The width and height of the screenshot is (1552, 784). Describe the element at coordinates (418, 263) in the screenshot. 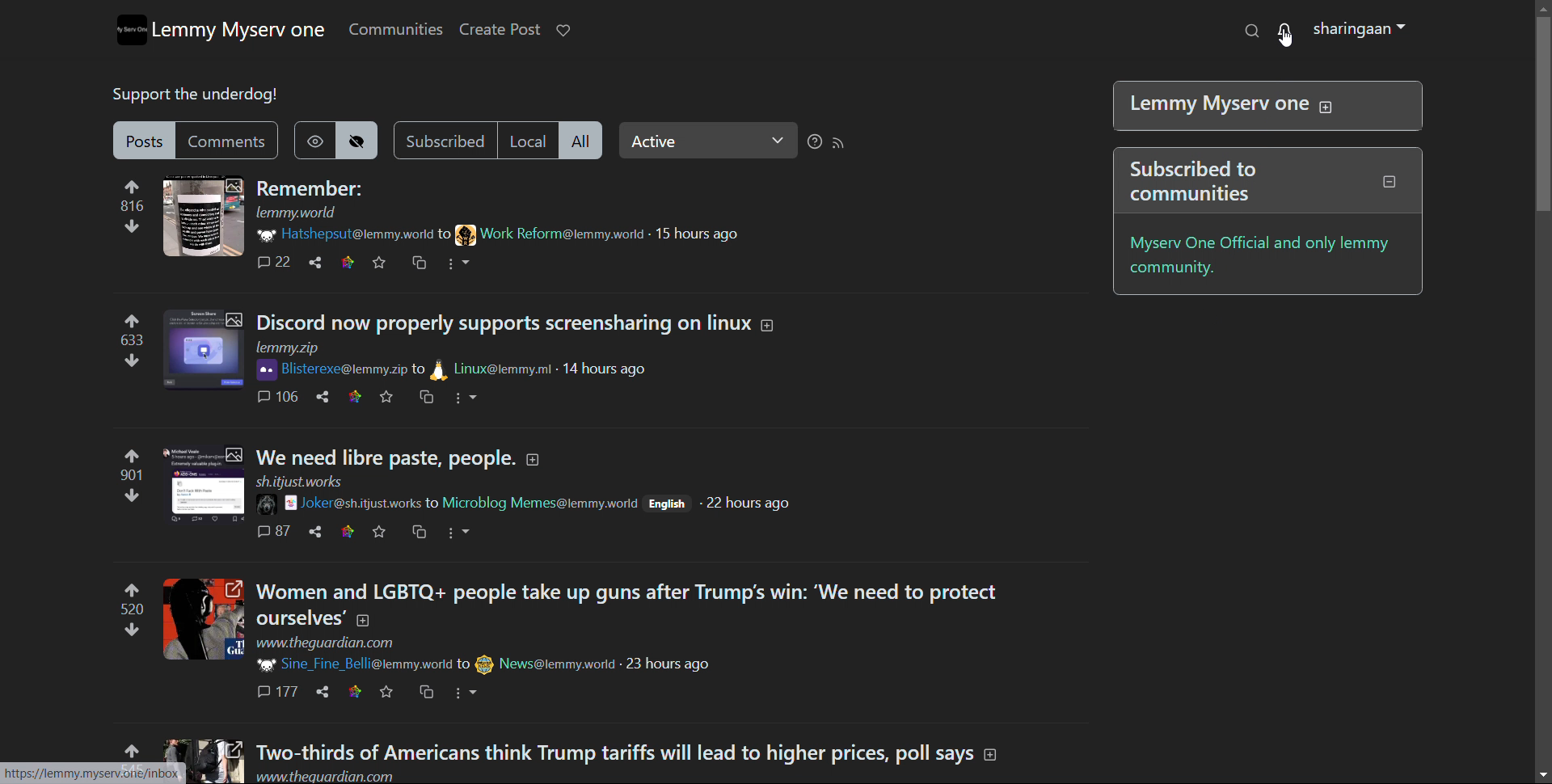

I see `cross post` at that location.